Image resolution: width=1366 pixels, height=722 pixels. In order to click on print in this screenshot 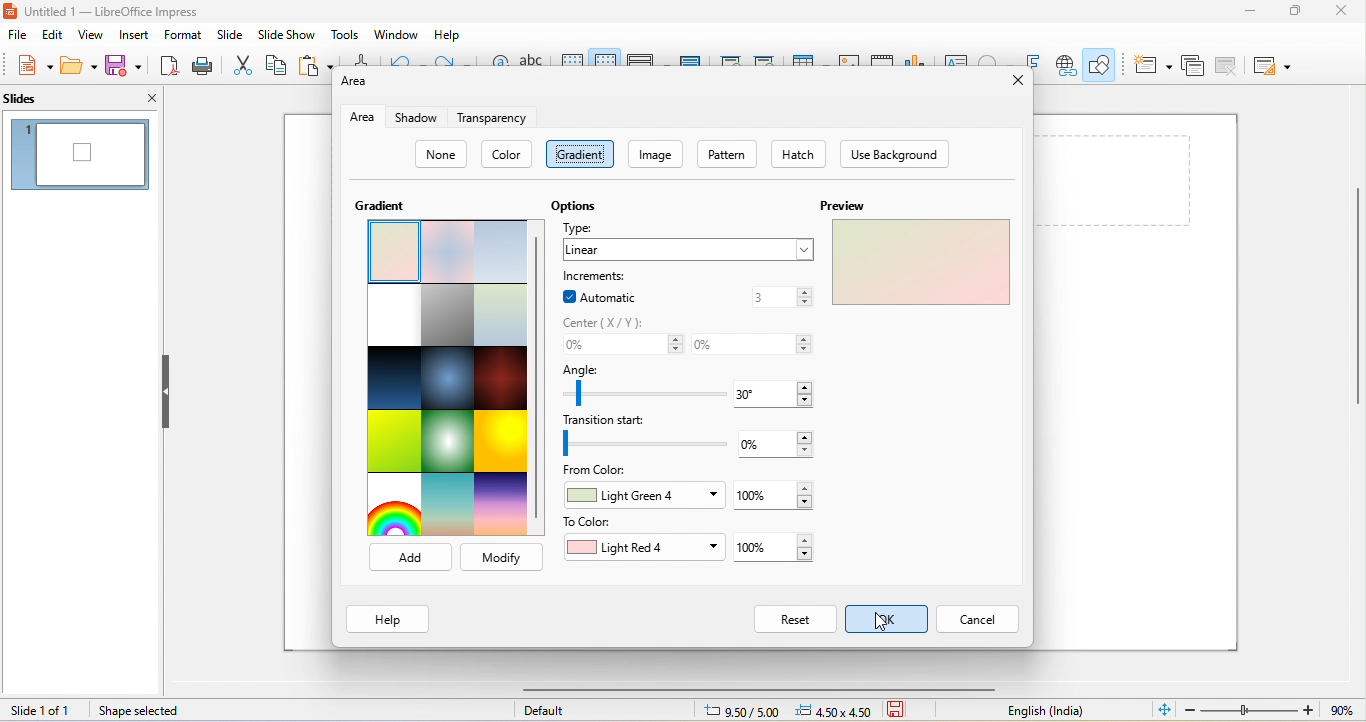, I will do `click(201, 65)`.